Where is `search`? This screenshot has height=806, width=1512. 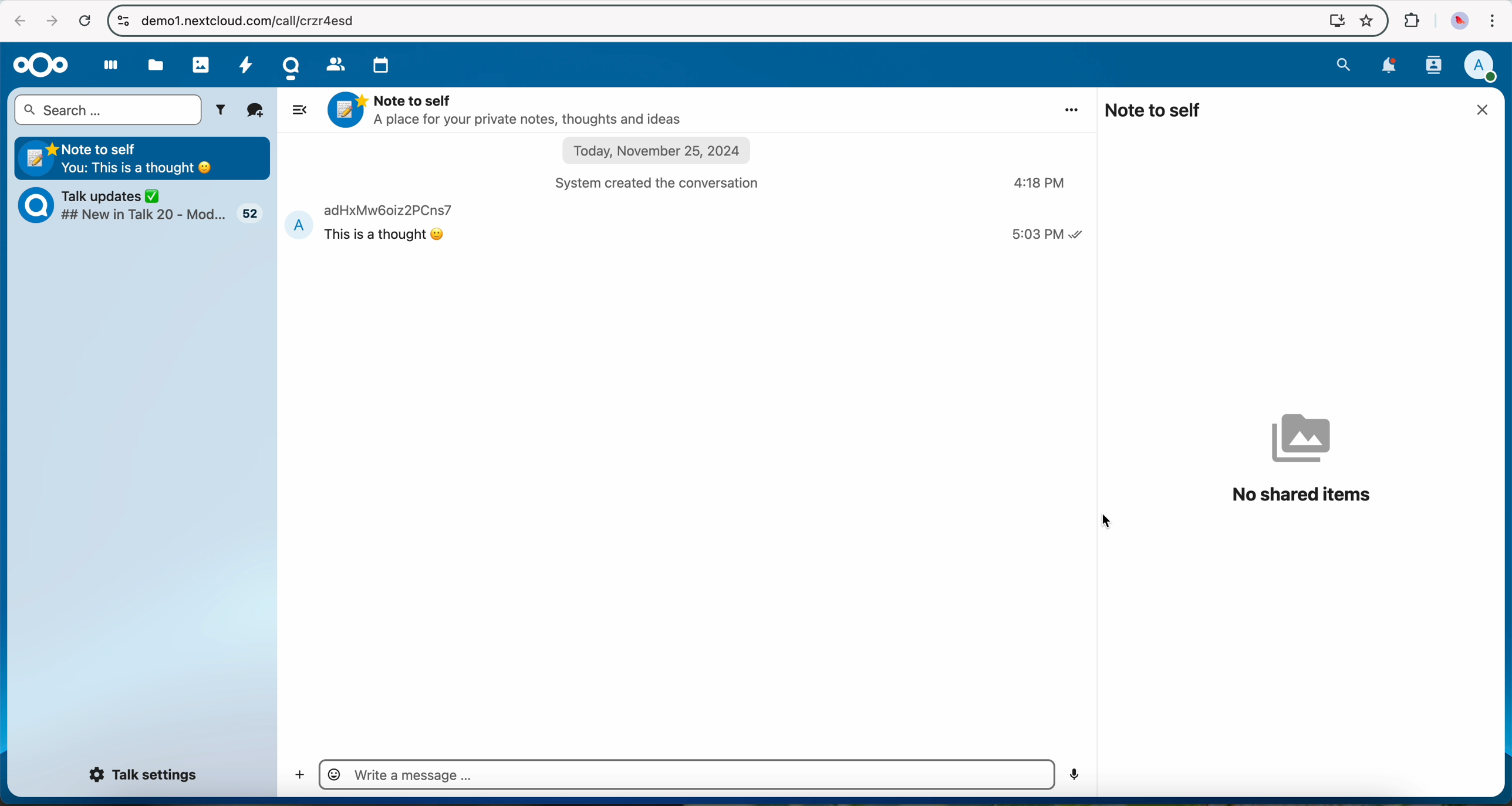
search is located at coordinates (1344, 65).